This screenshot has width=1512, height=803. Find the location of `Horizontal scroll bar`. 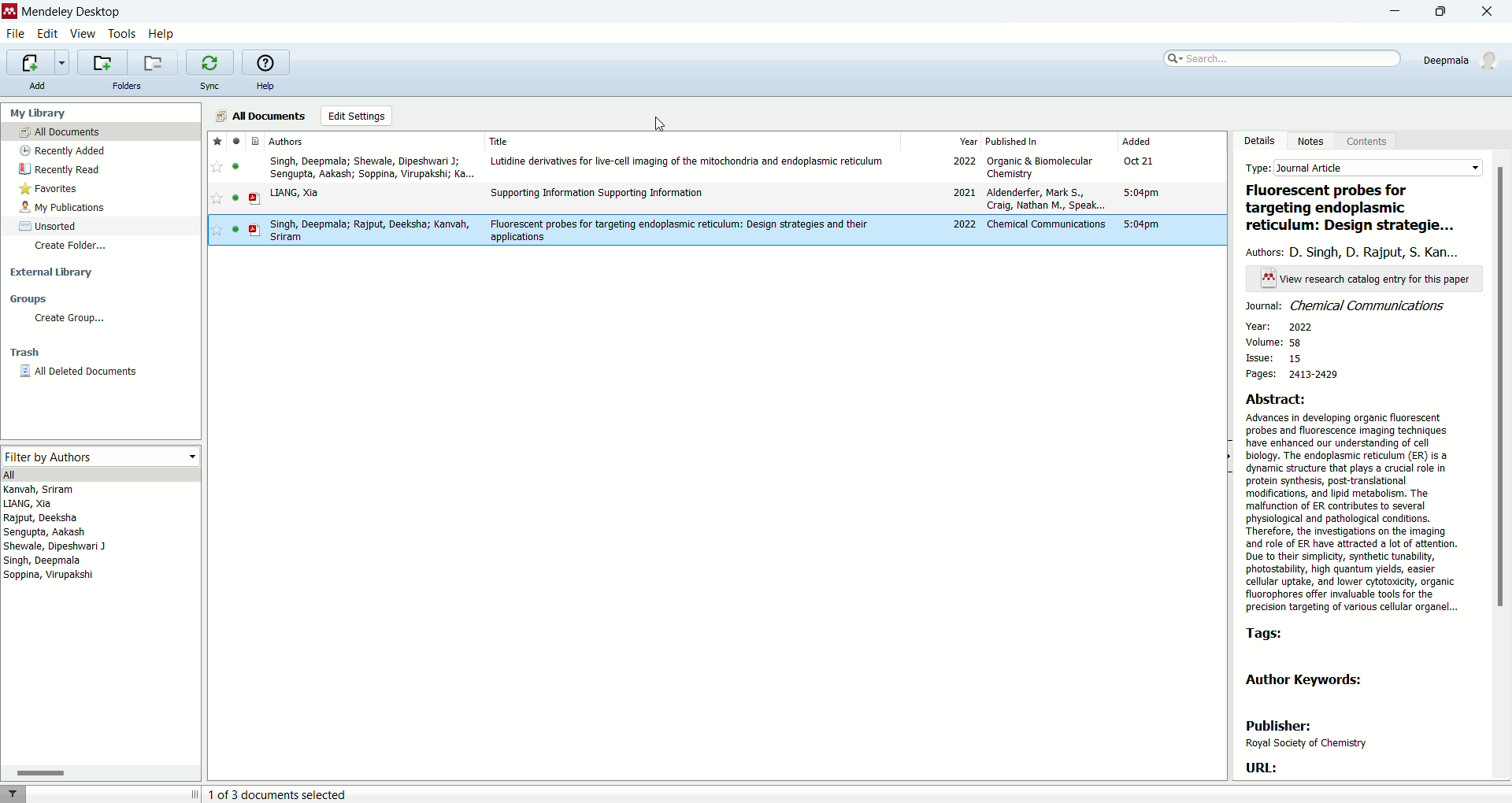

Horizontal scroll bar is located at coordinates (101, 772).